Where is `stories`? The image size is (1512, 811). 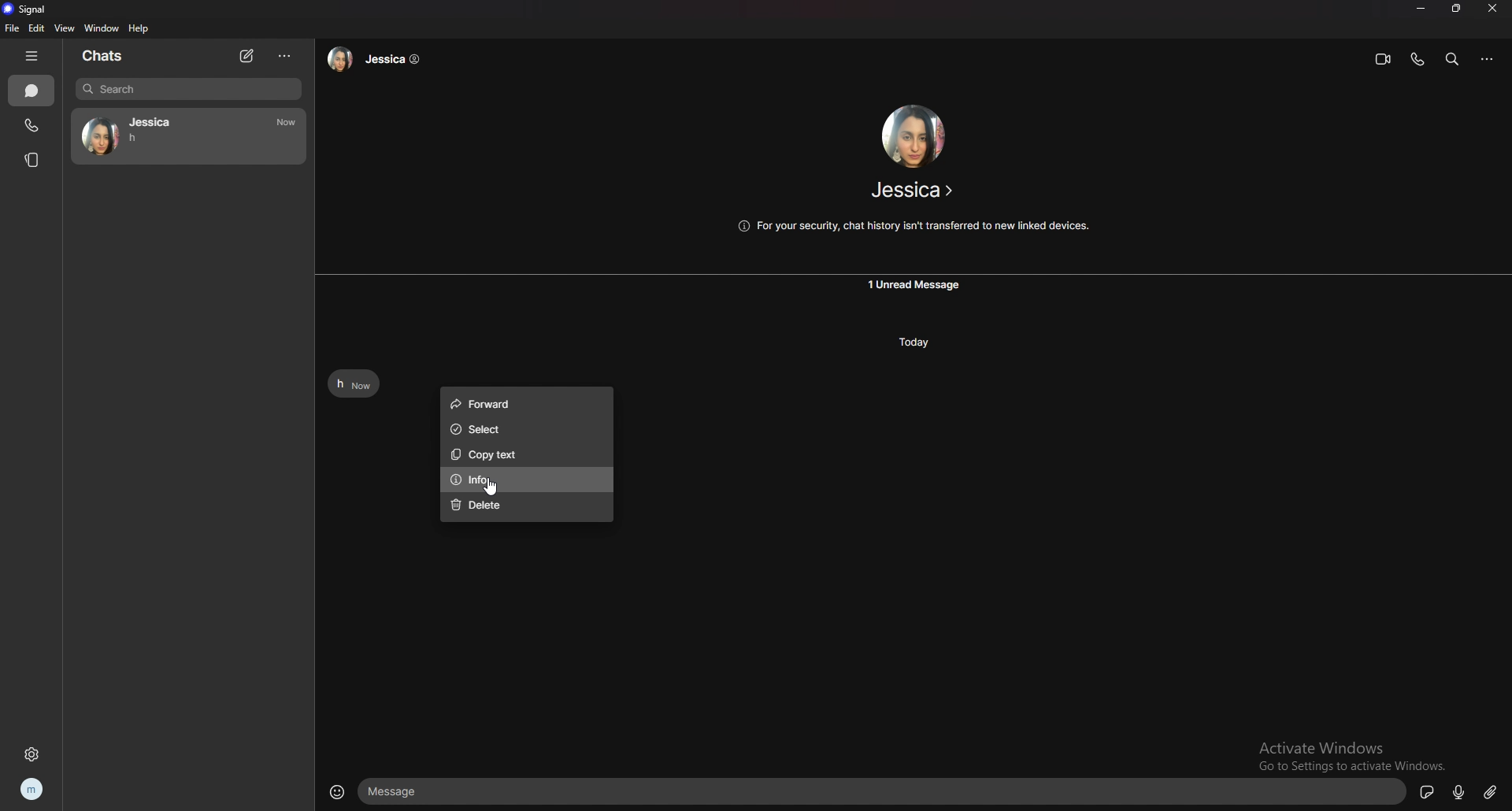
stories is located at coordinates (34, 161).